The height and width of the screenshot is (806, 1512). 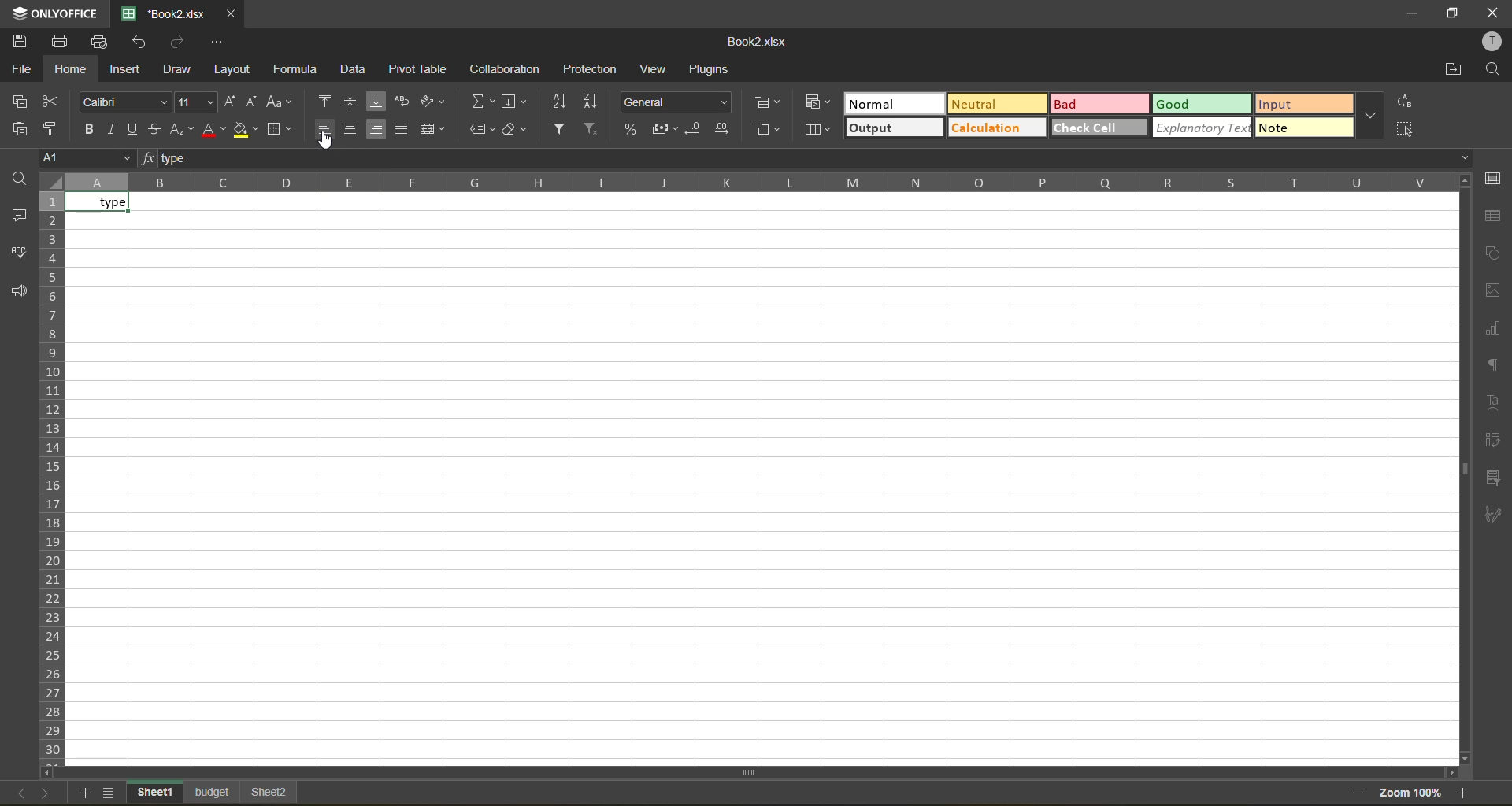 I want to click on select all, so click(x=1408, y=132).